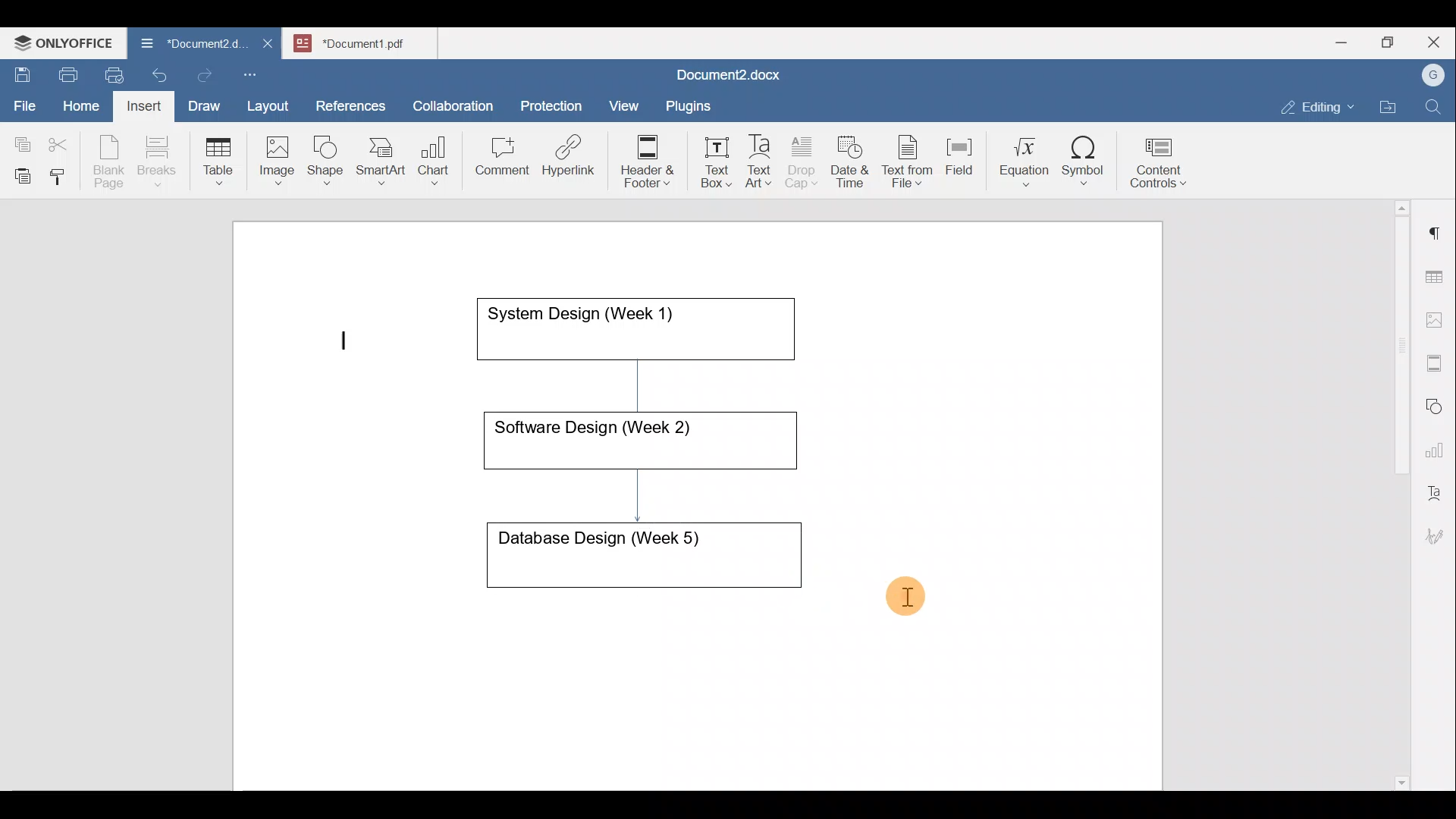  What do you see at coordinates (327, 153) in the screenshot?
I see `Shape` at bounding box center [327, 153].